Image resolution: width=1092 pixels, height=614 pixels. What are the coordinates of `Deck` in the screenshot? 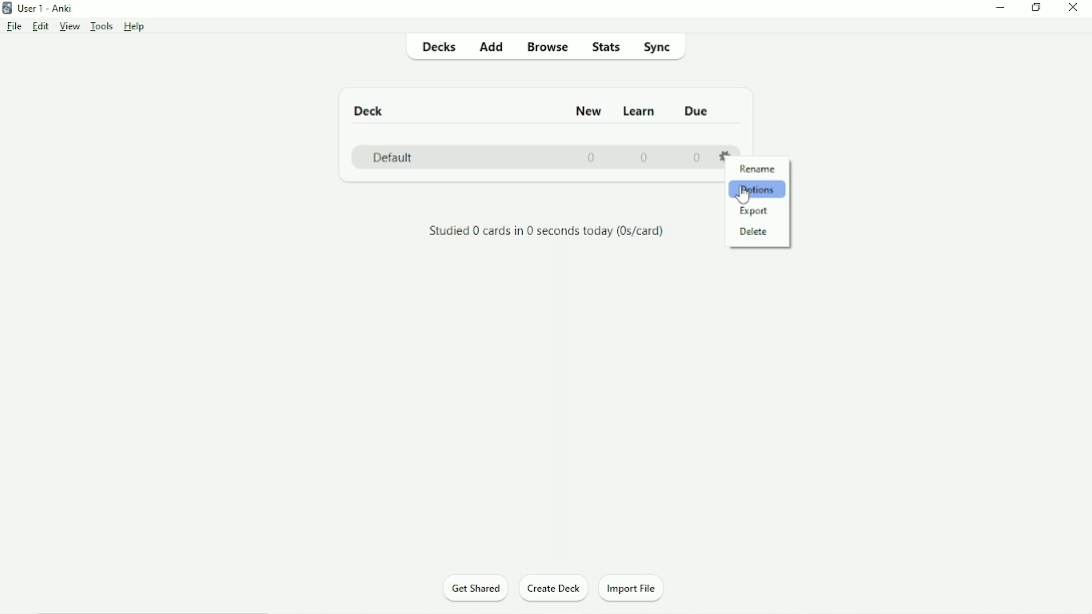 It's located at (371, 111).